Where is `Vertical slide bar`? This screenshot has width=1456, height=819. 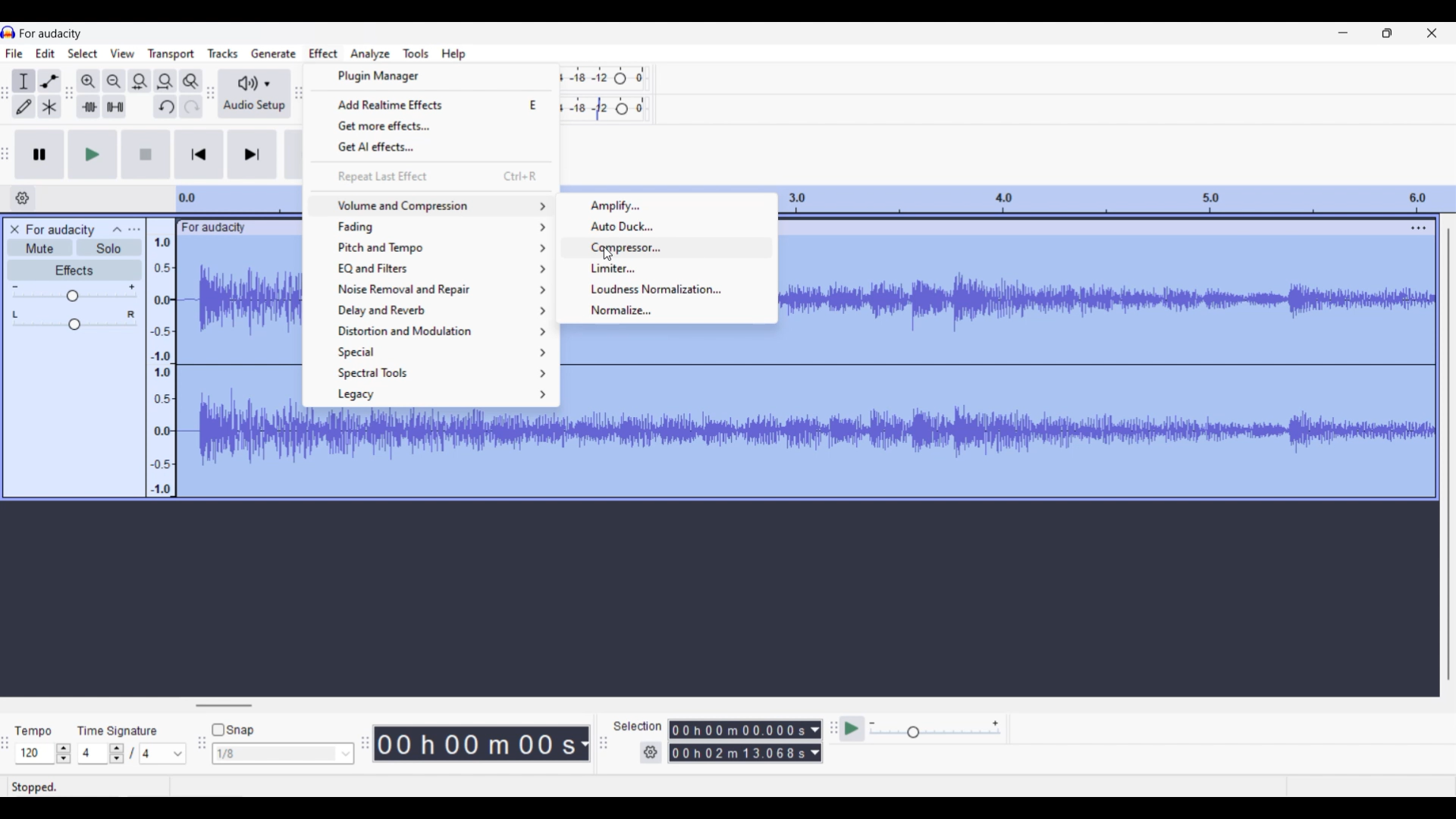 Vertical slide bar is located at coordinates (1449, 456).